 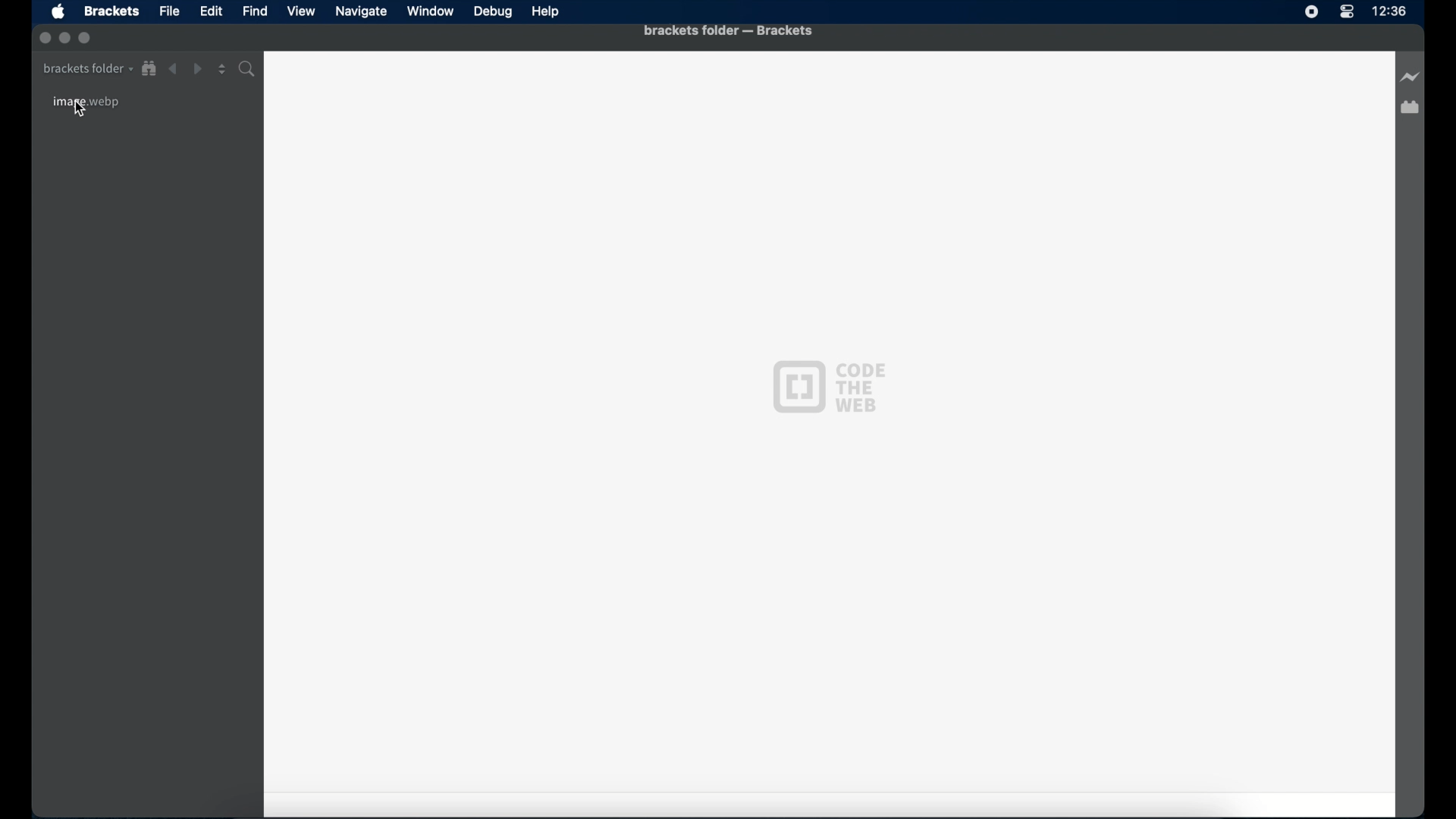 What do you see at coordinates (45, 38) in the screenshot?
I see `inactive close button` at bounding box center [45, 38].